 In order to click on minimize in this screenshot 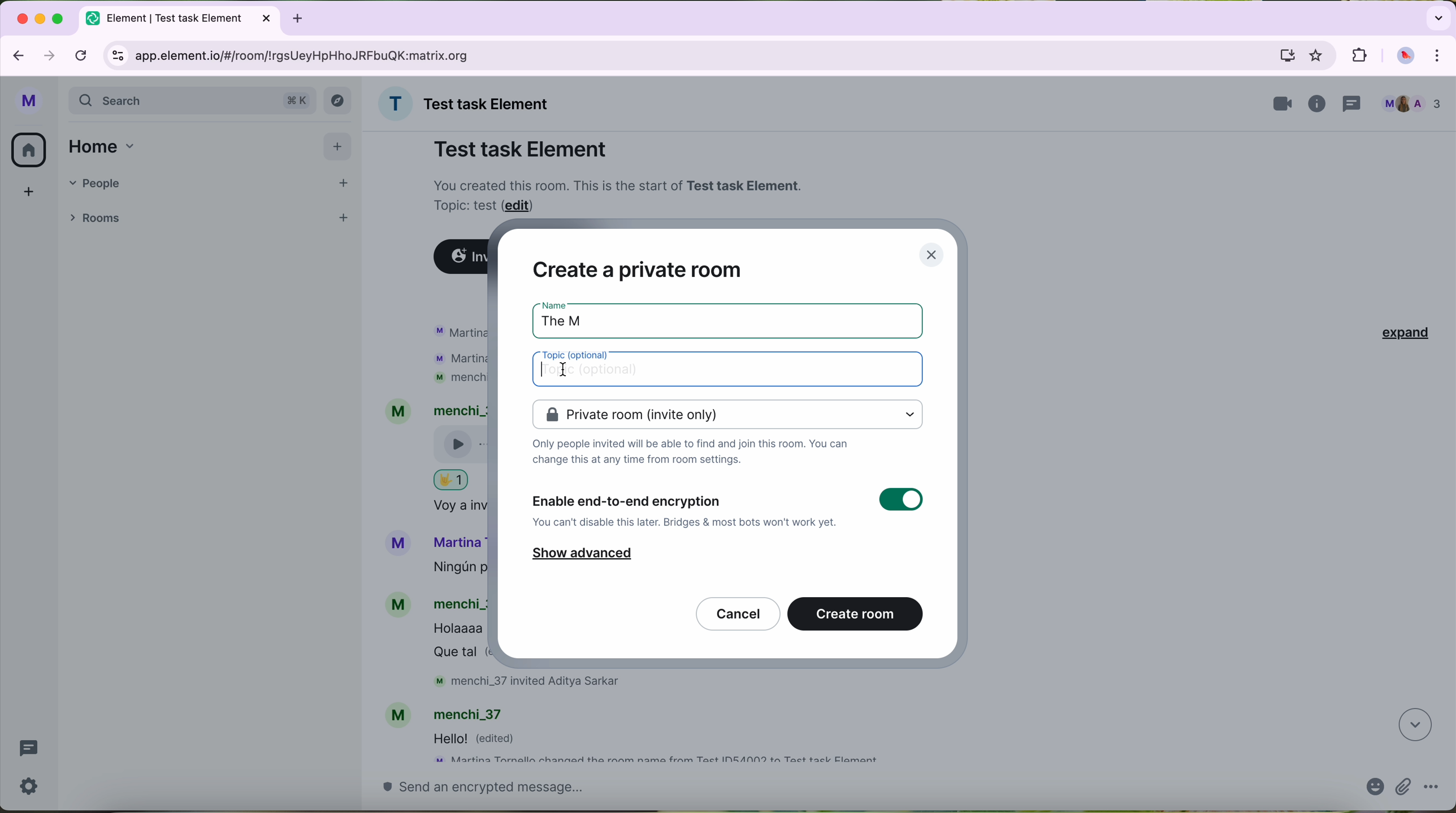, I will do `click(42, 19)`.